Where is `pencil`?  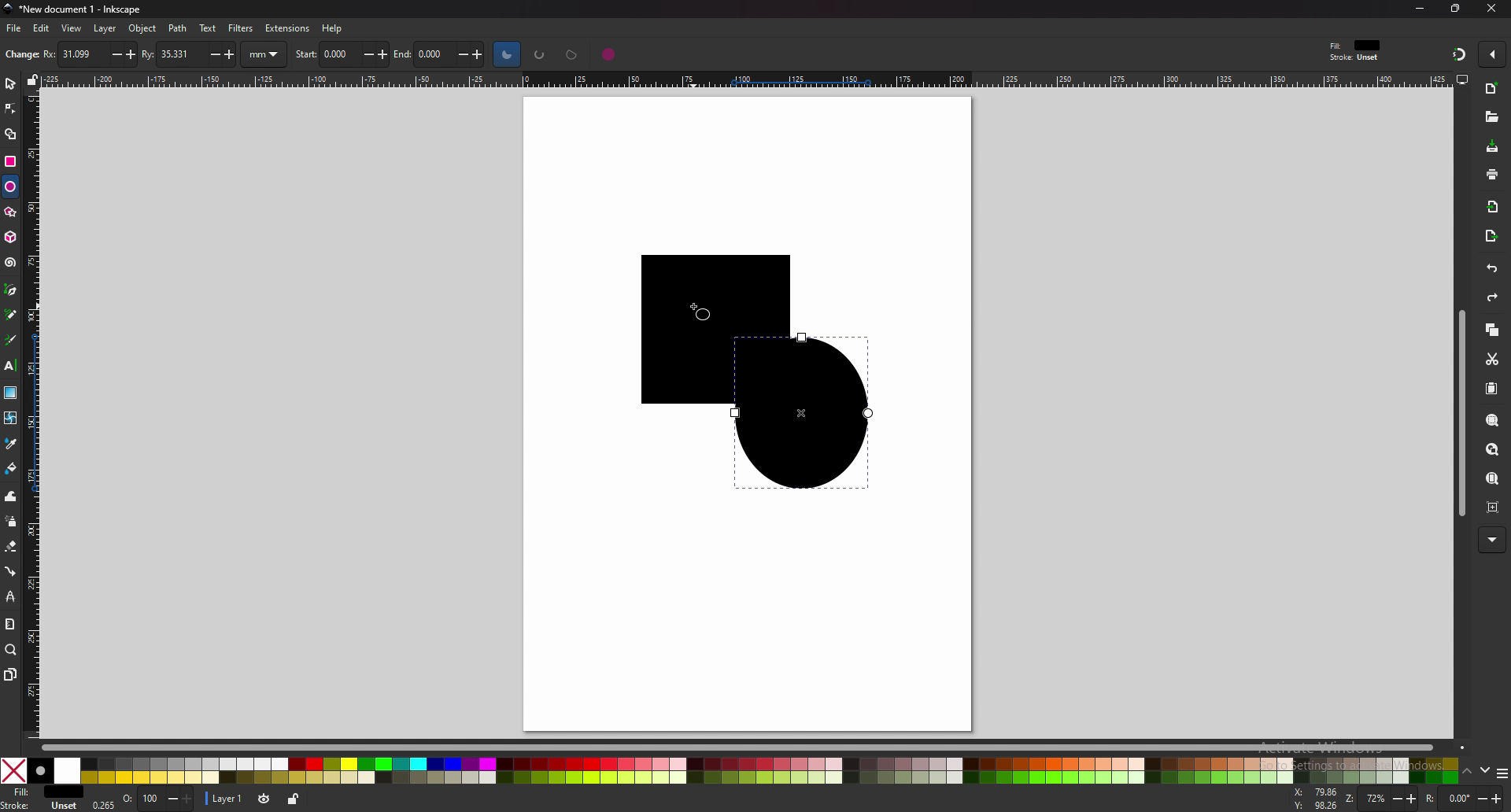
pencil is located at coordinates (12, 314).